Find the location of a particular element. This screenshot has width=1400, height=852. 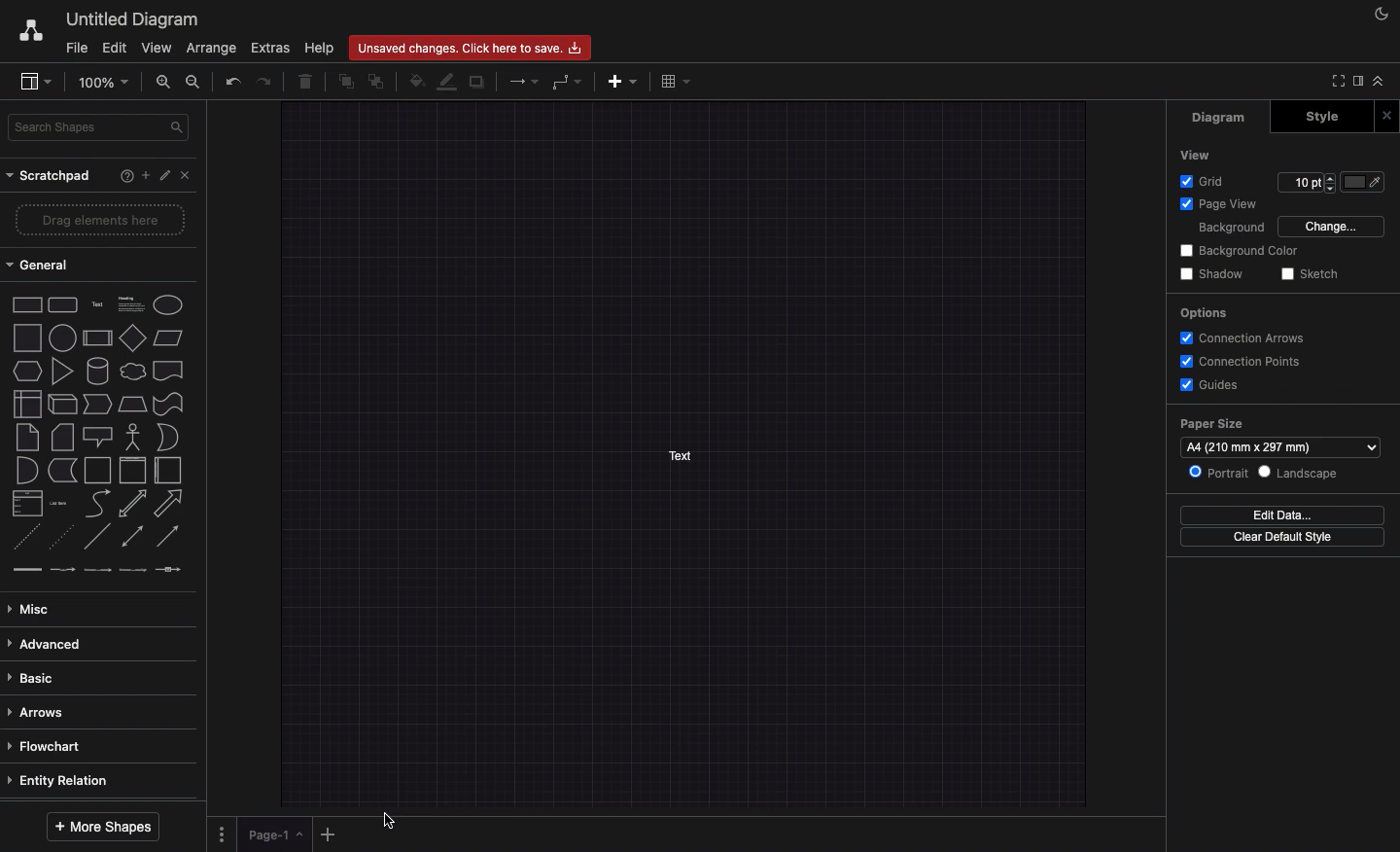

Duplicate is located at coordinates (478, 82).